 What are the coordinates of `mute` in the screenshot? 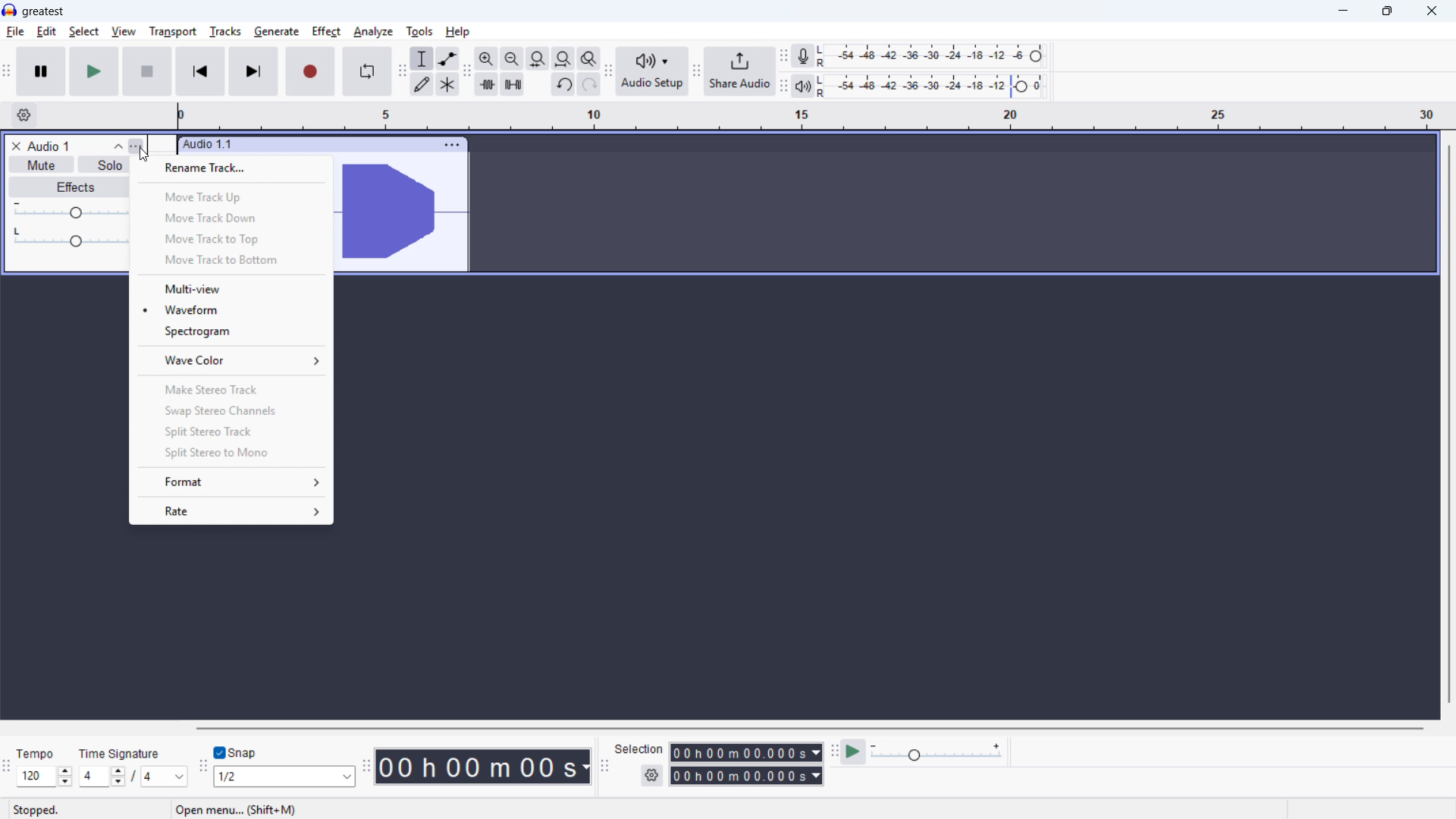 It's located at (41, 165).